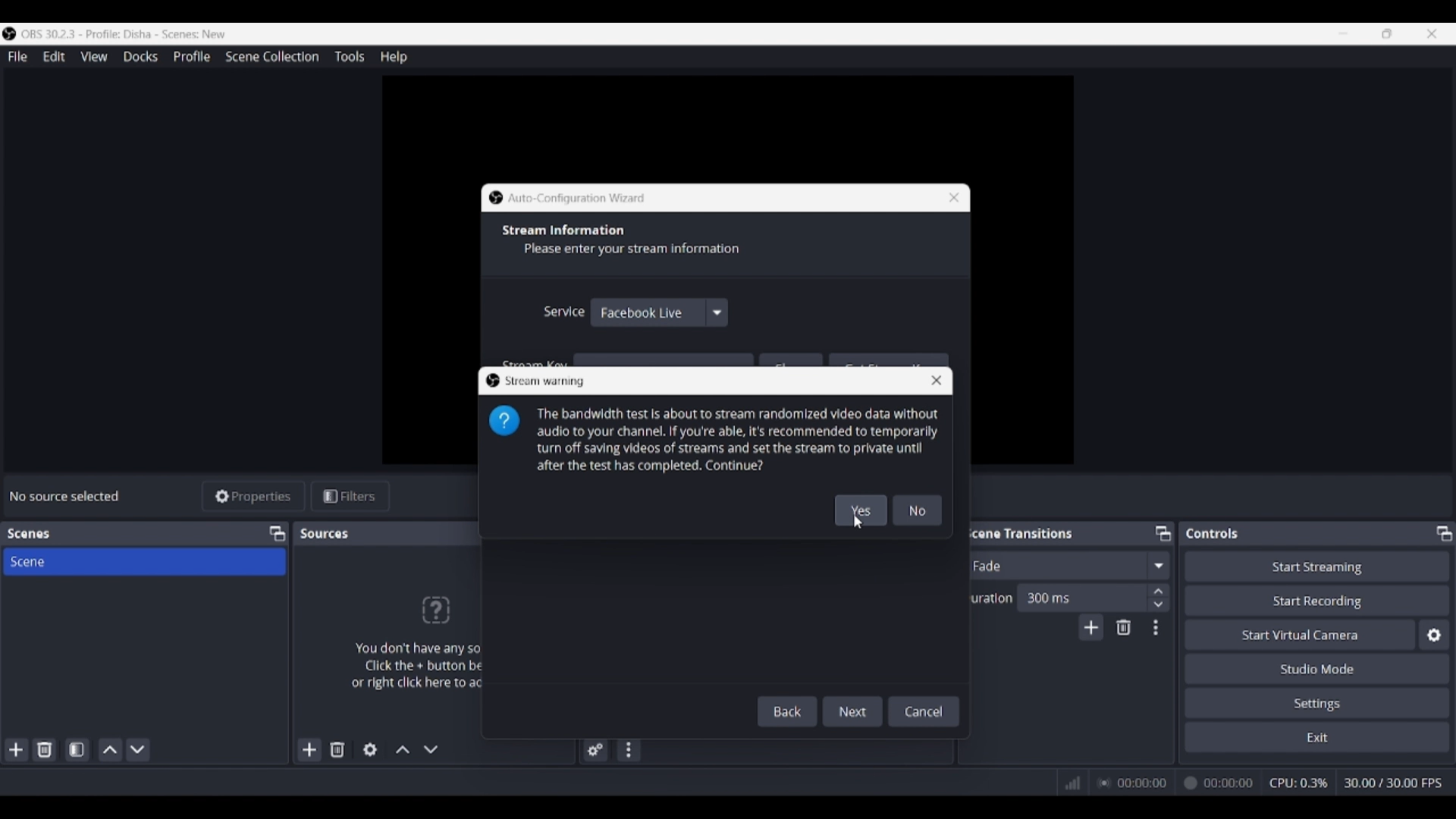 The height and width of the screenshot is (819, 1456). I want to click on Advanced audio properties, so click(595, 750).